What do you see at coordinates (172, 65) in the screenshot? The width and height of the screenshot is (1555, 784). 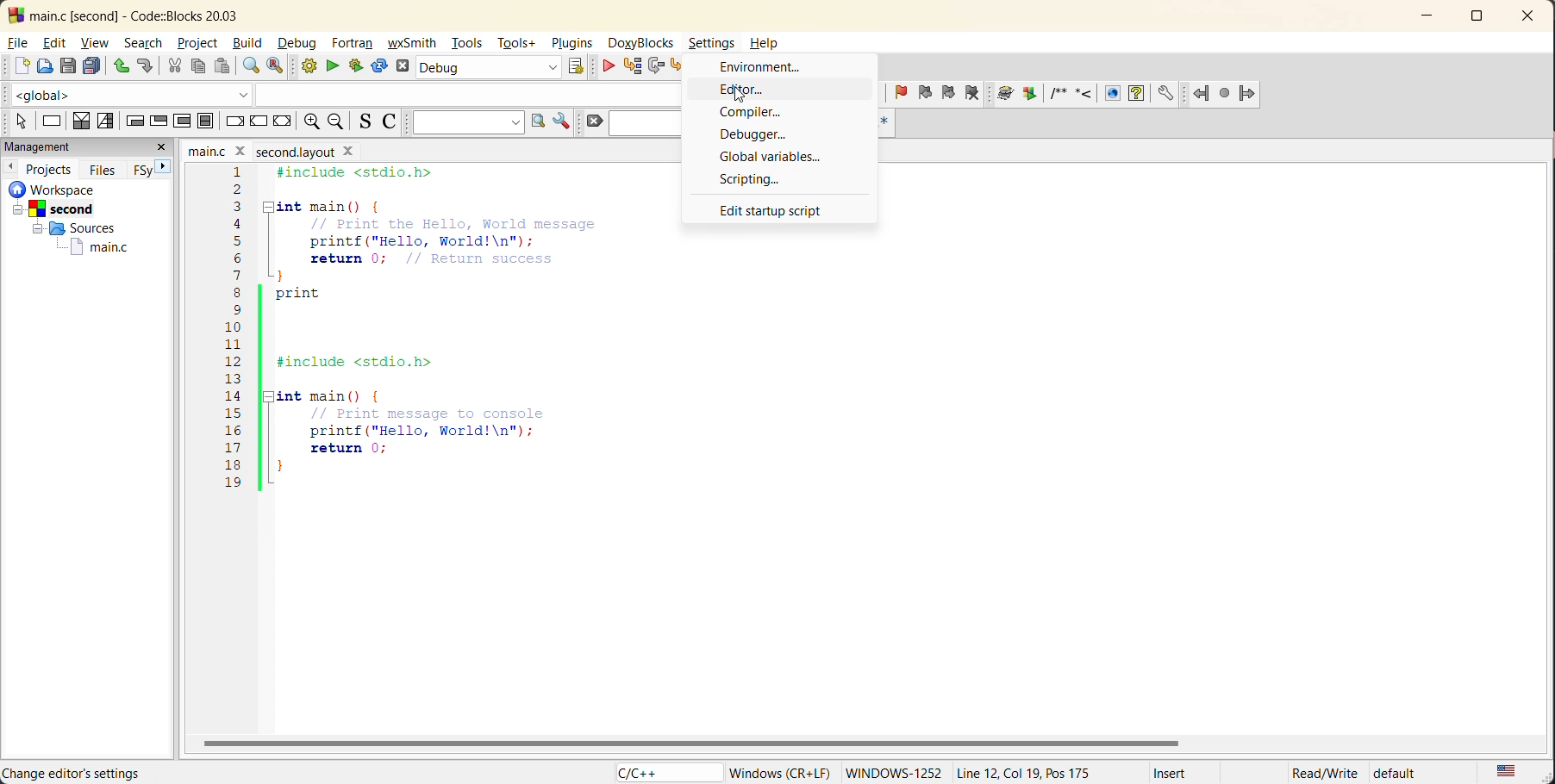 I see `cut` at bounding box center [172, 65].